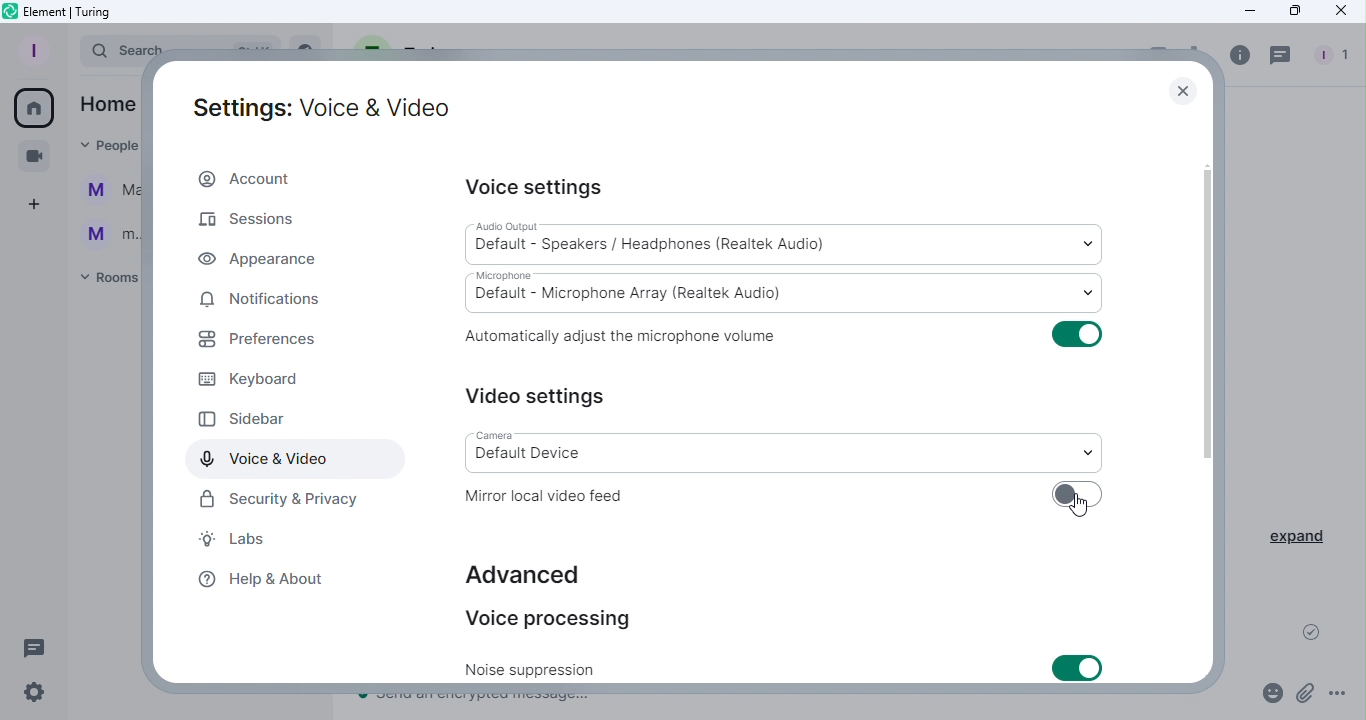 This screenshot has height=720, width=1366. Describe the element at coordinates (248, 263) in the screenshot. I see `Appearance` at that location.